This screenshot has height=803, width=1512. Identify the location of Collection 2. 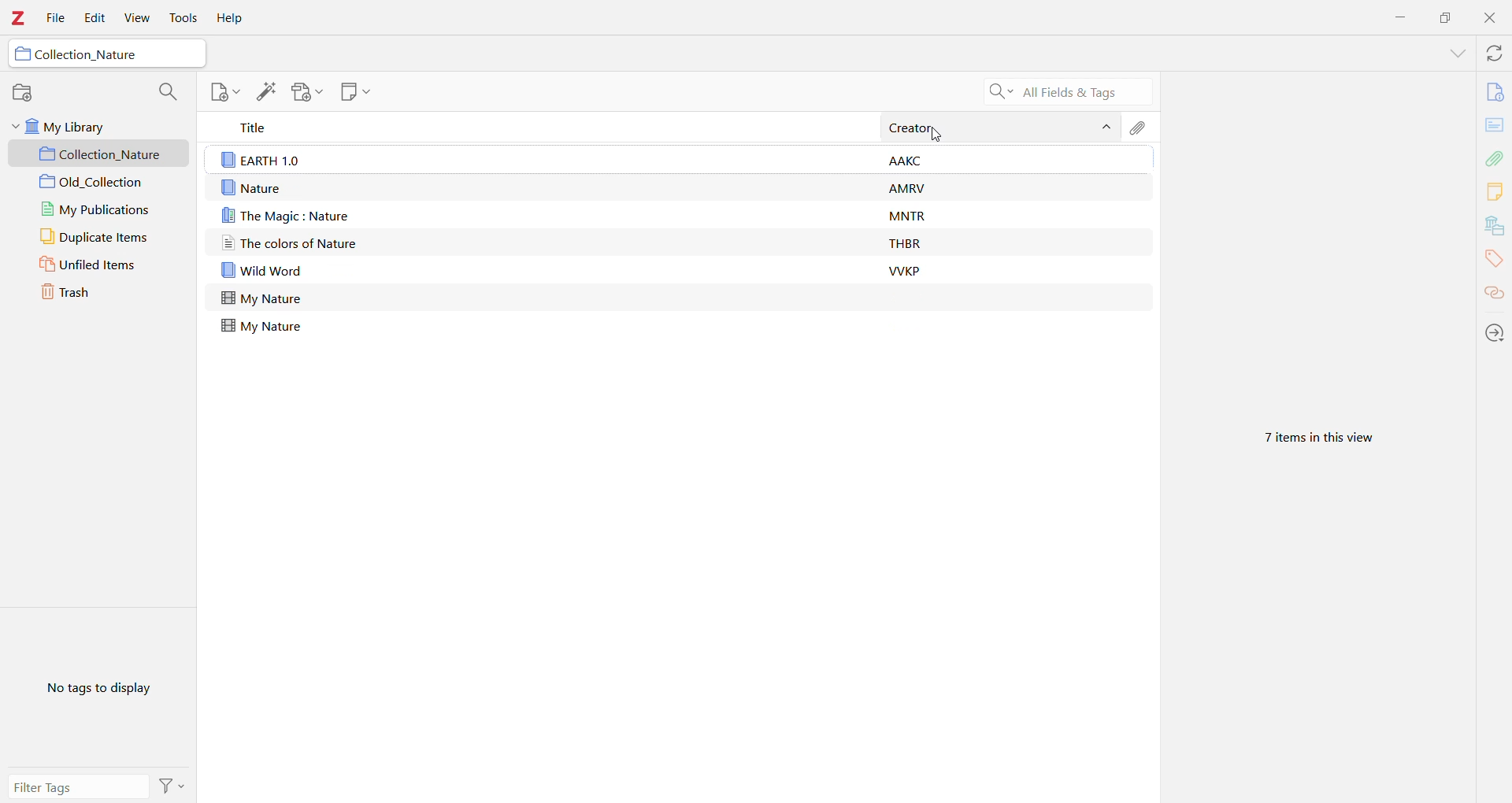
(103, 182).